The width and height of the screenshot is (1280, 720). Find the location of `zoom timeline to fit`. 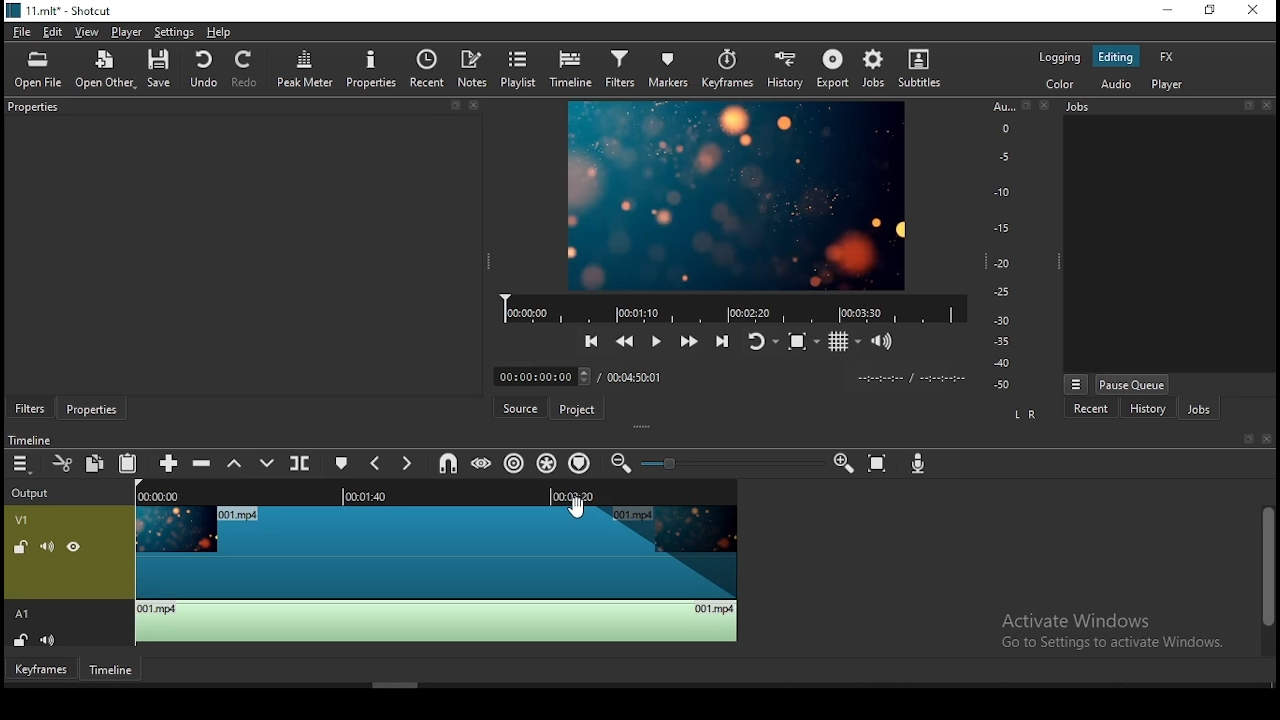

zoom timeline to fit is located at coordinates (878, 464).